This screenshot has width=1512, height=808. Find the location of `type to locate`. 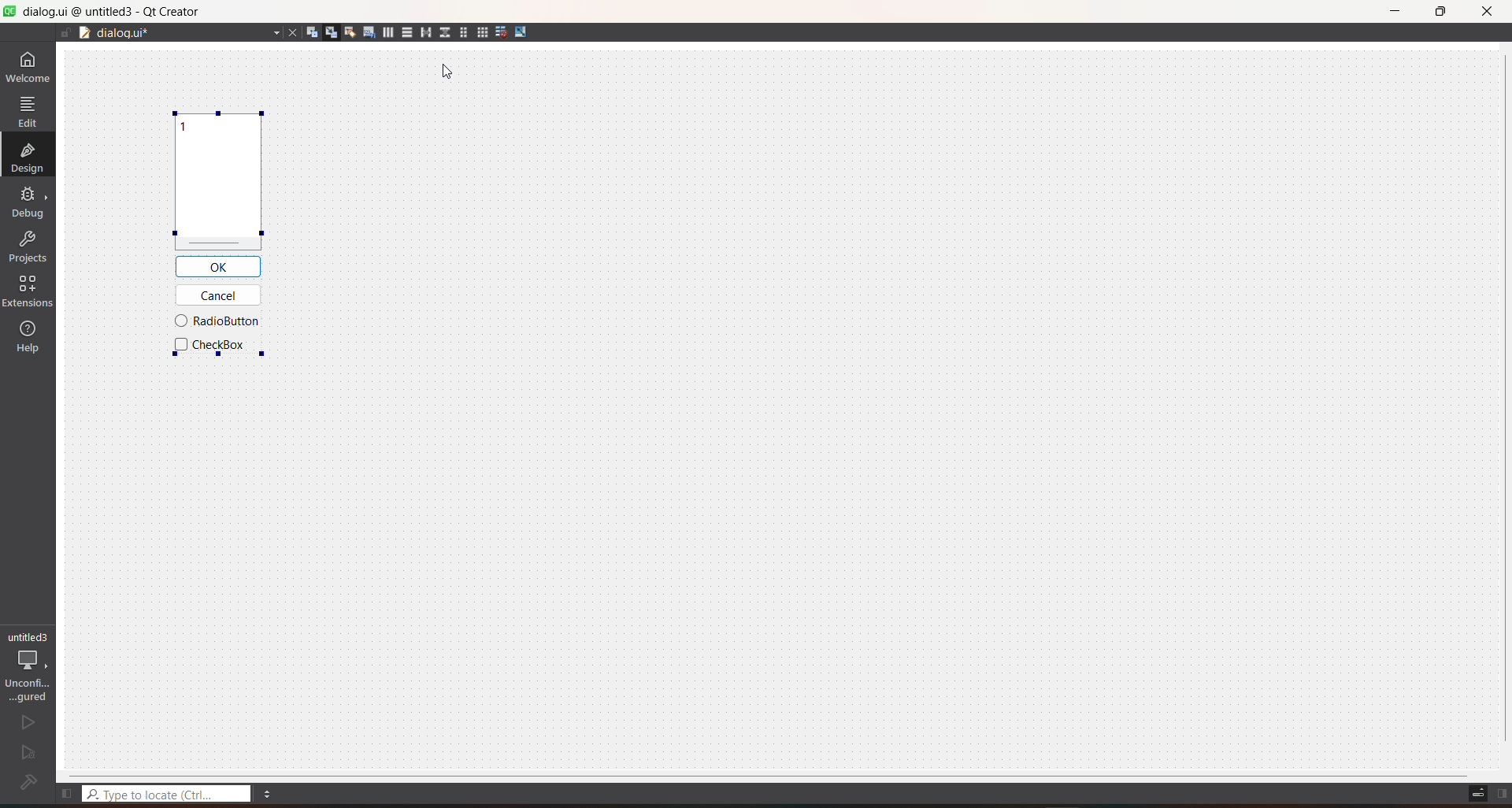

type to locate is located at coordinates (169, 793).